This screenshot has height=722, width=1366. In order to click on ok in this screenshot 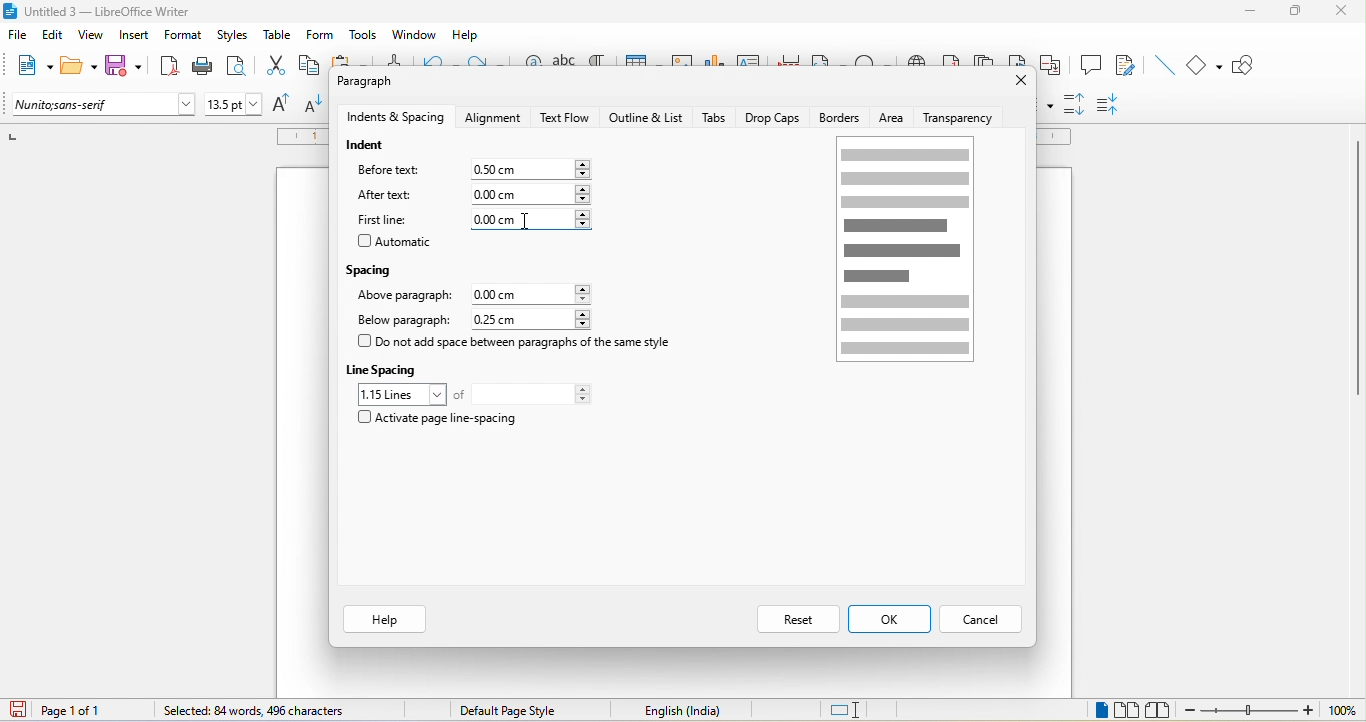, I will do `click(889, 619)`.